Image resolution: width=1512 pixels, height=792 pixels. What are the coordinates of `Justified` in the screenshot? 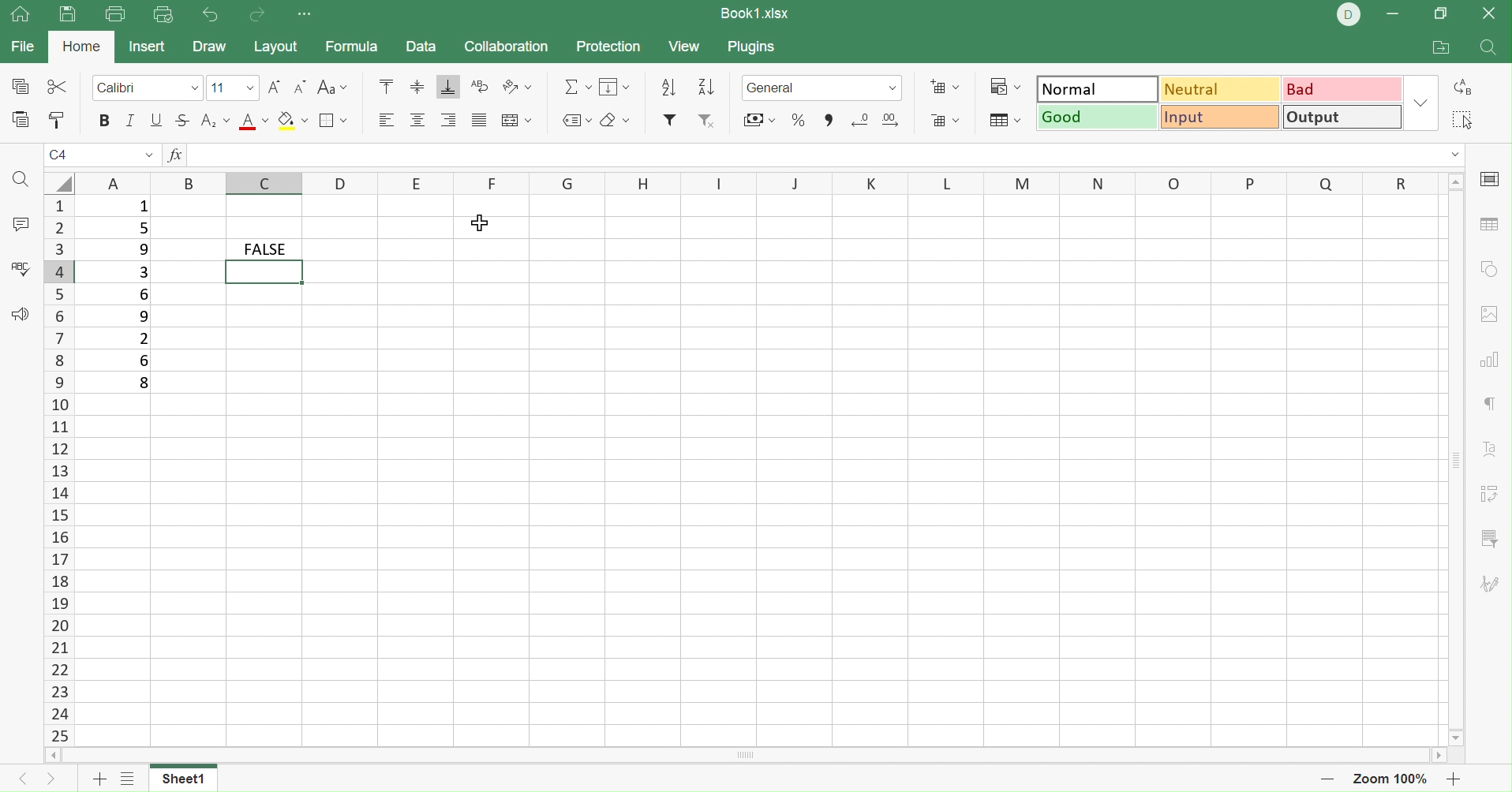 It's located at (480, 119).